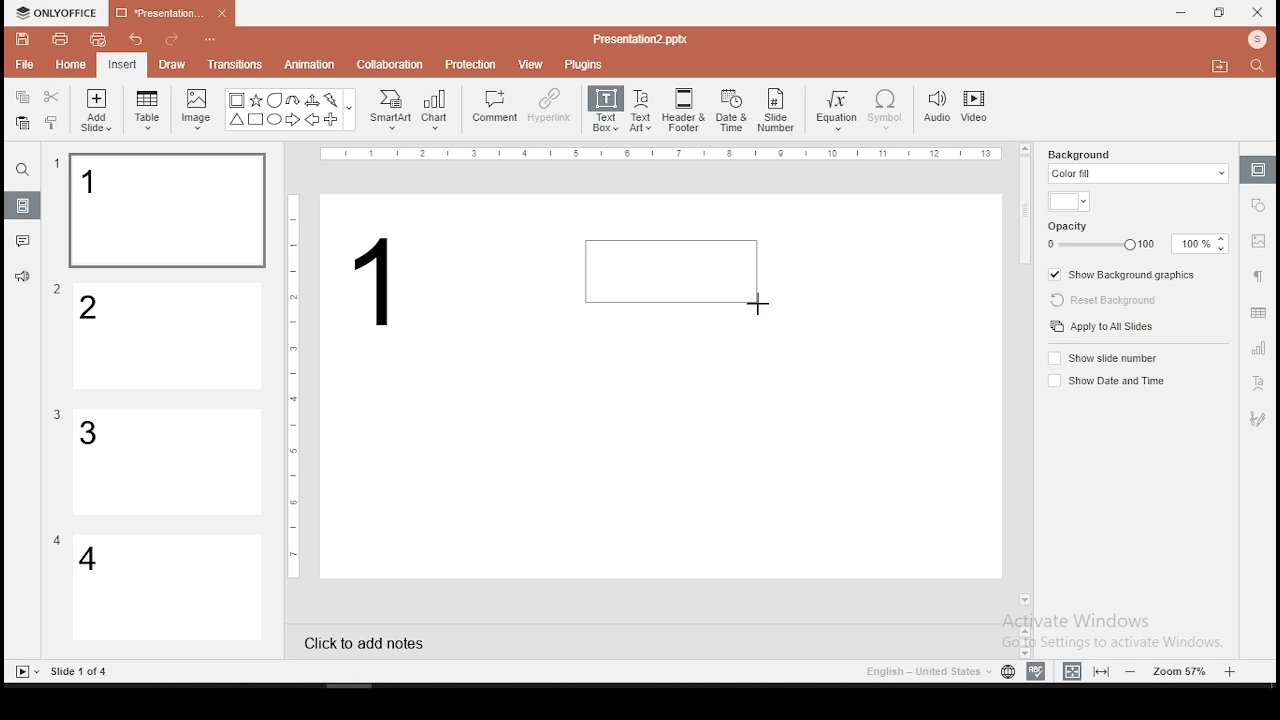 The height and width of the screenshot is (720, 1280). I want to click on Plus, so click(332, 120).